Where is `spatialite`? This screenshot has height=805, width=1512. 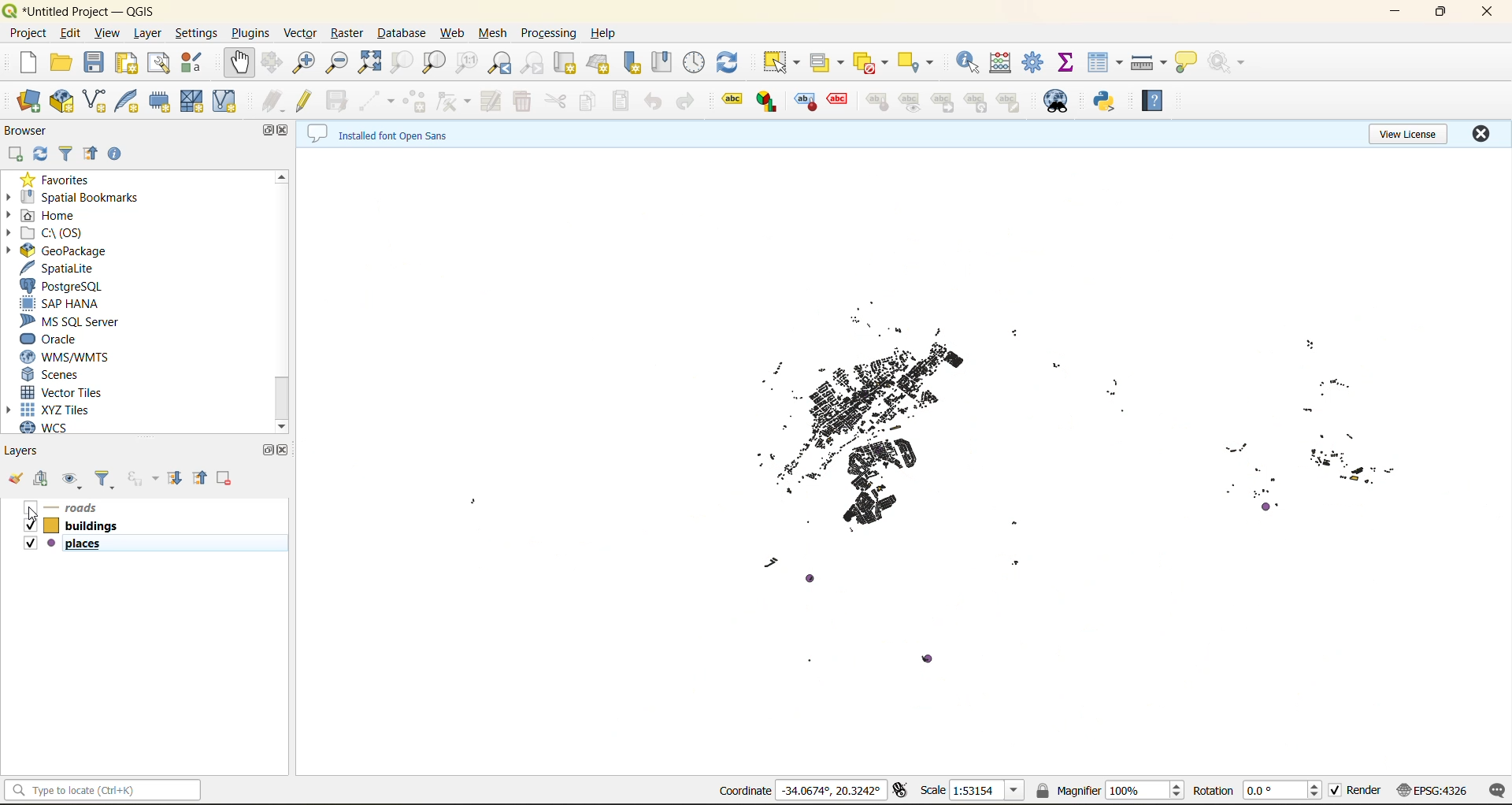 spatialite is located at coordinates (62, 268).